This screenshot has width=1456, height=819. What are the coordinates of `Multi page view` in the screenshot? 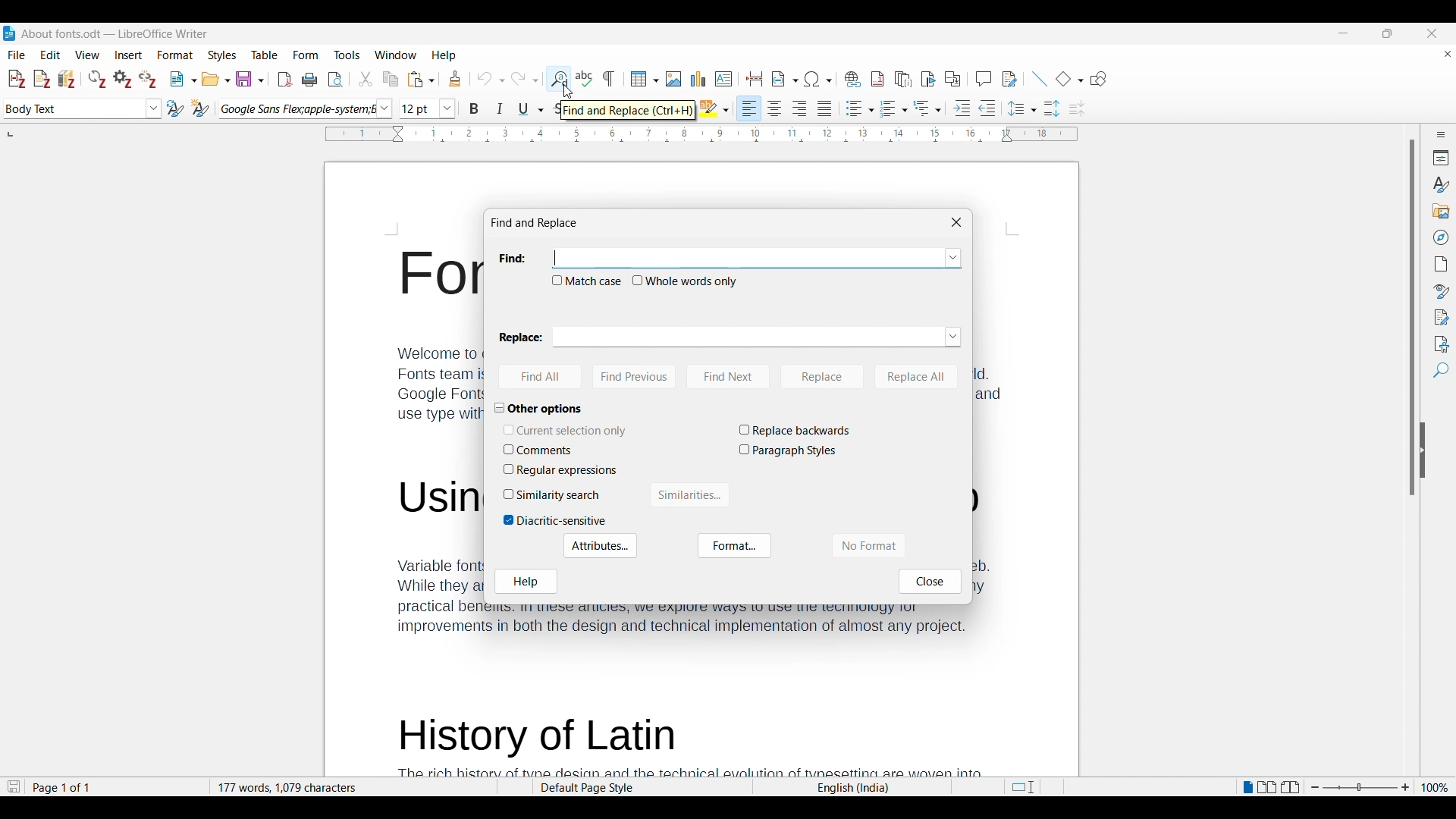 It's located at (1267, 787).